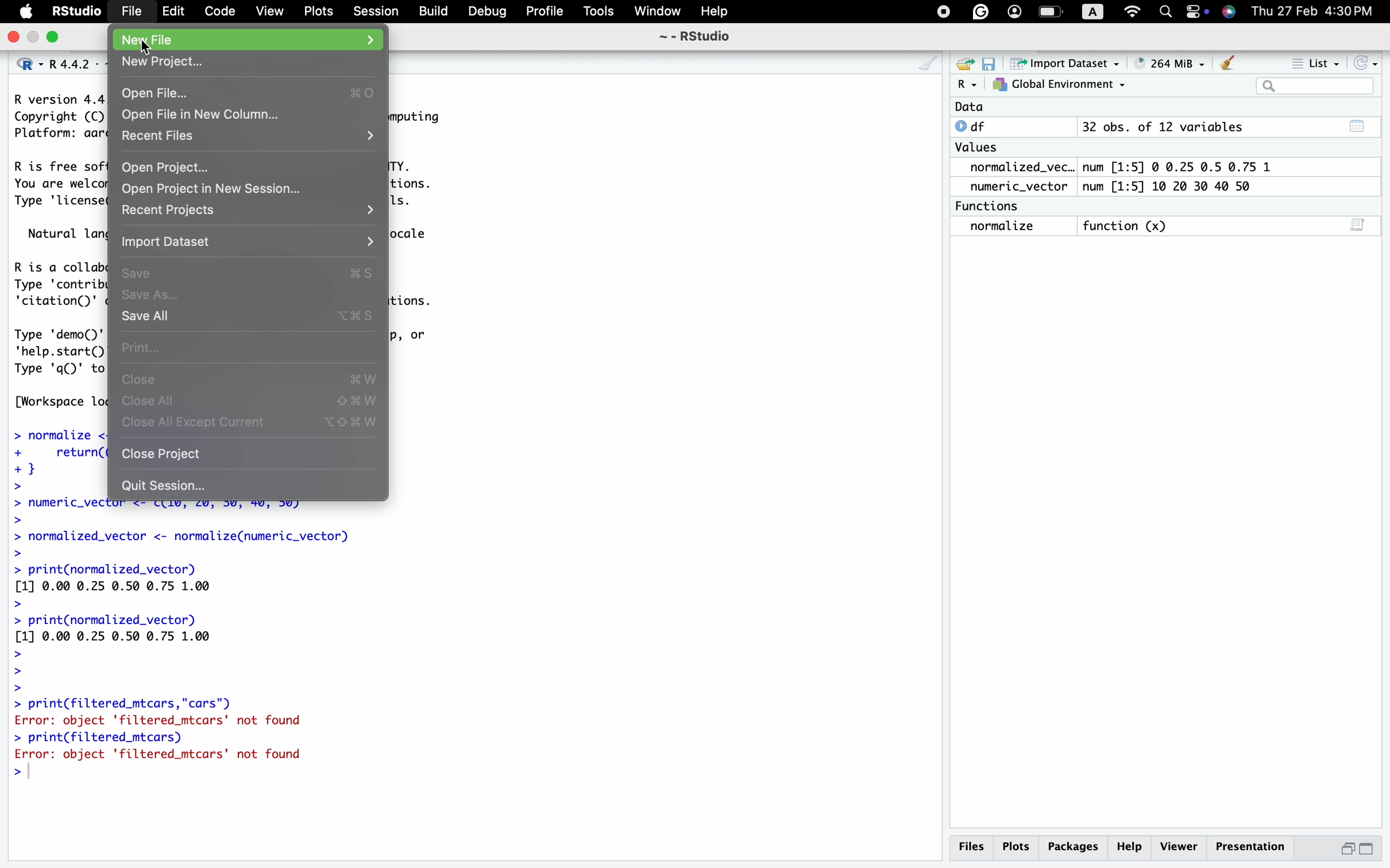  I want to click on help, so click(1131, 848).